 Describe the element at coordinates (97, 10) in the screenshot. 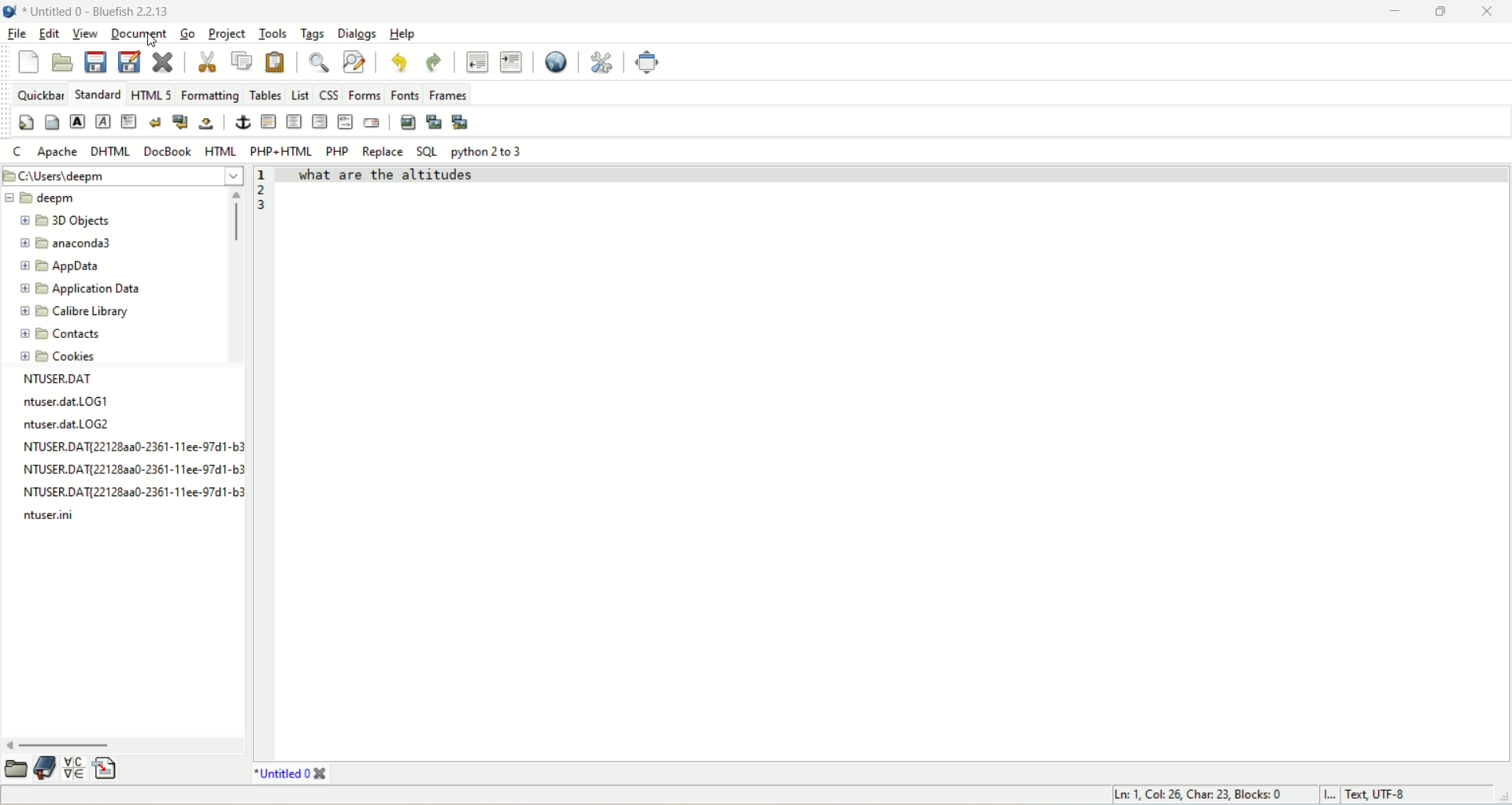

I see `title` at that location.